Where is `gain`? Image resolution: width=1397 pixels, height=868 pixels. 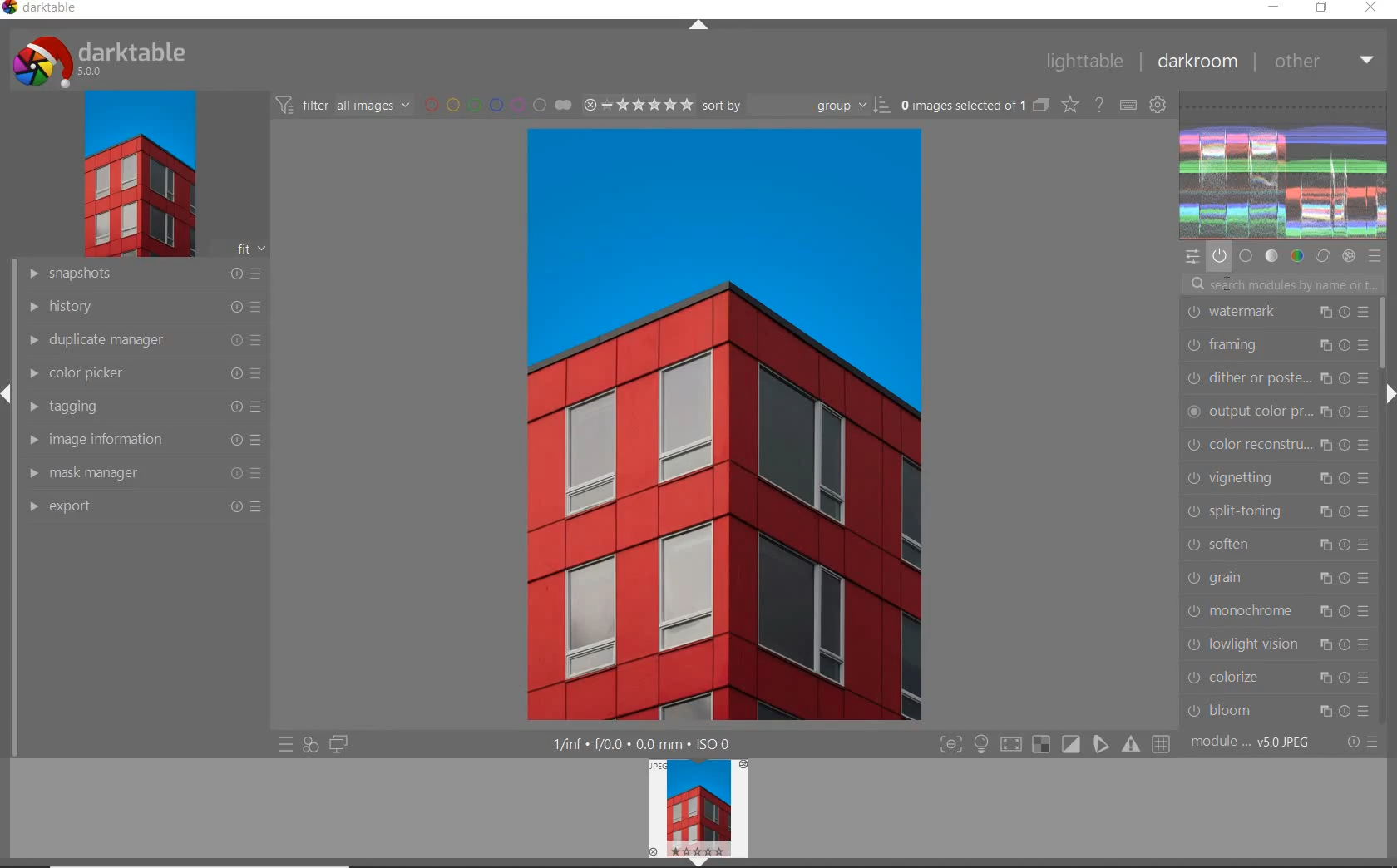 gain is located at coordinates (1278, 579).